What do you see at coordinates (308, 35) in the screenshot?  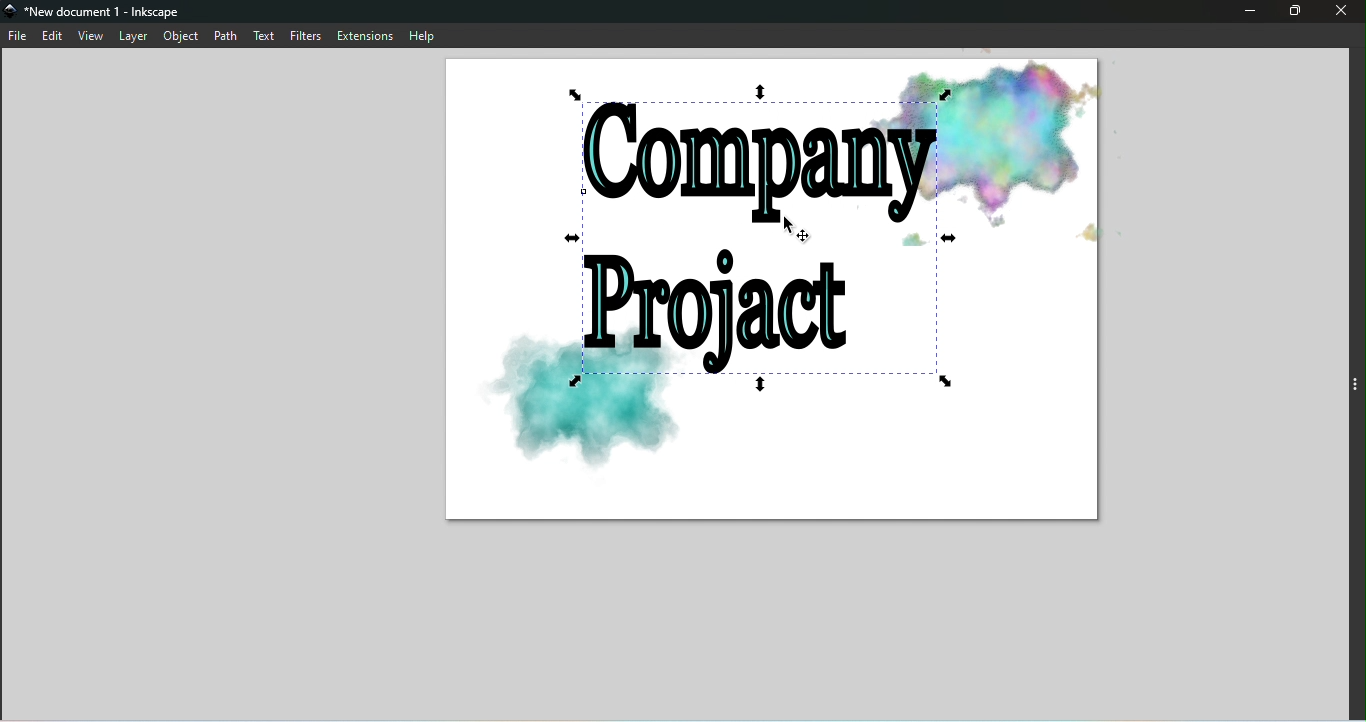 I see `Filters` at bounding box center [308, 35].